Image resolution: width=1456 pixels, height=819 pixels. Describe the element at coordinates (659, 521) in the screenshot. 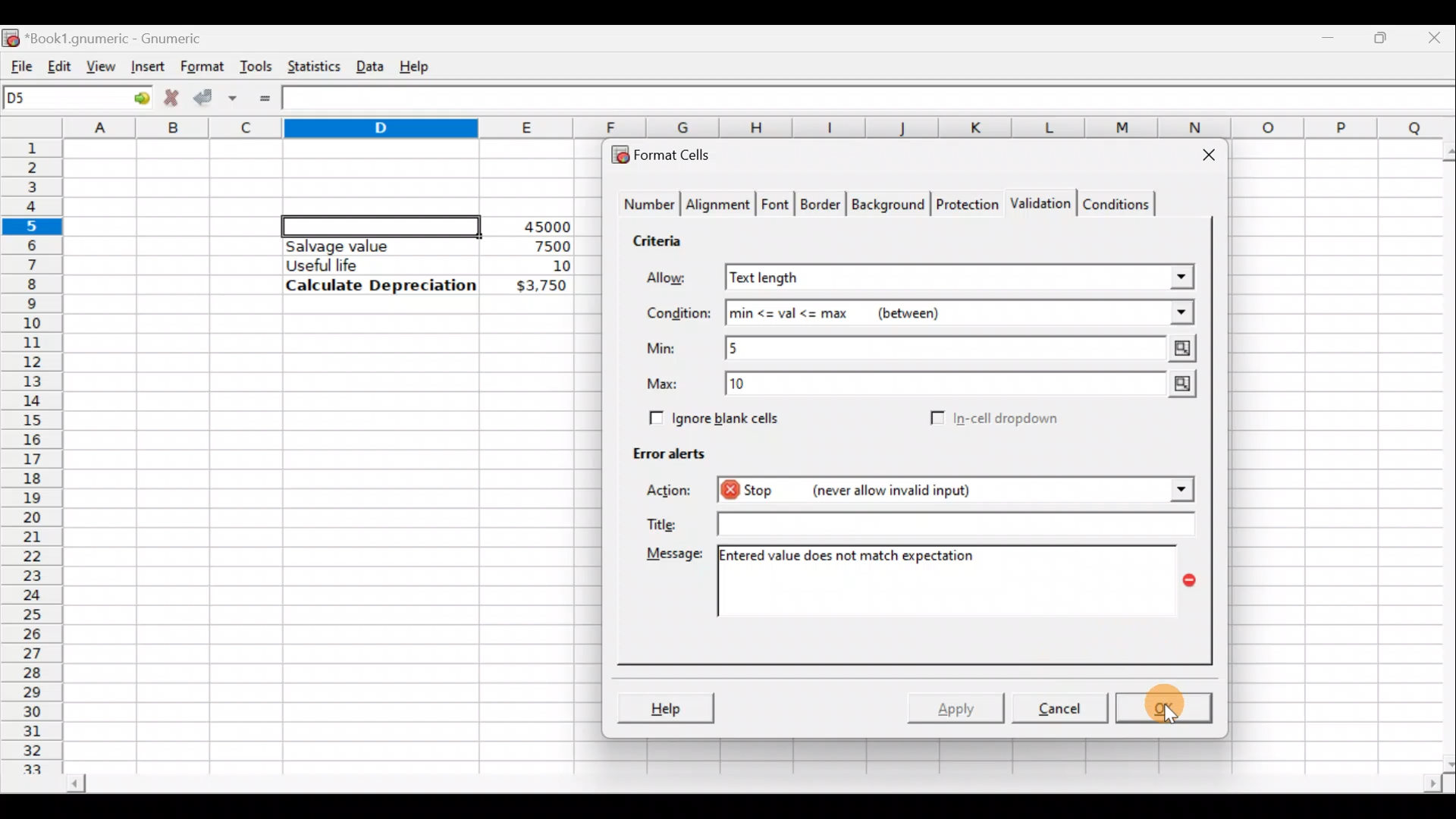

I see `Title` at that location.